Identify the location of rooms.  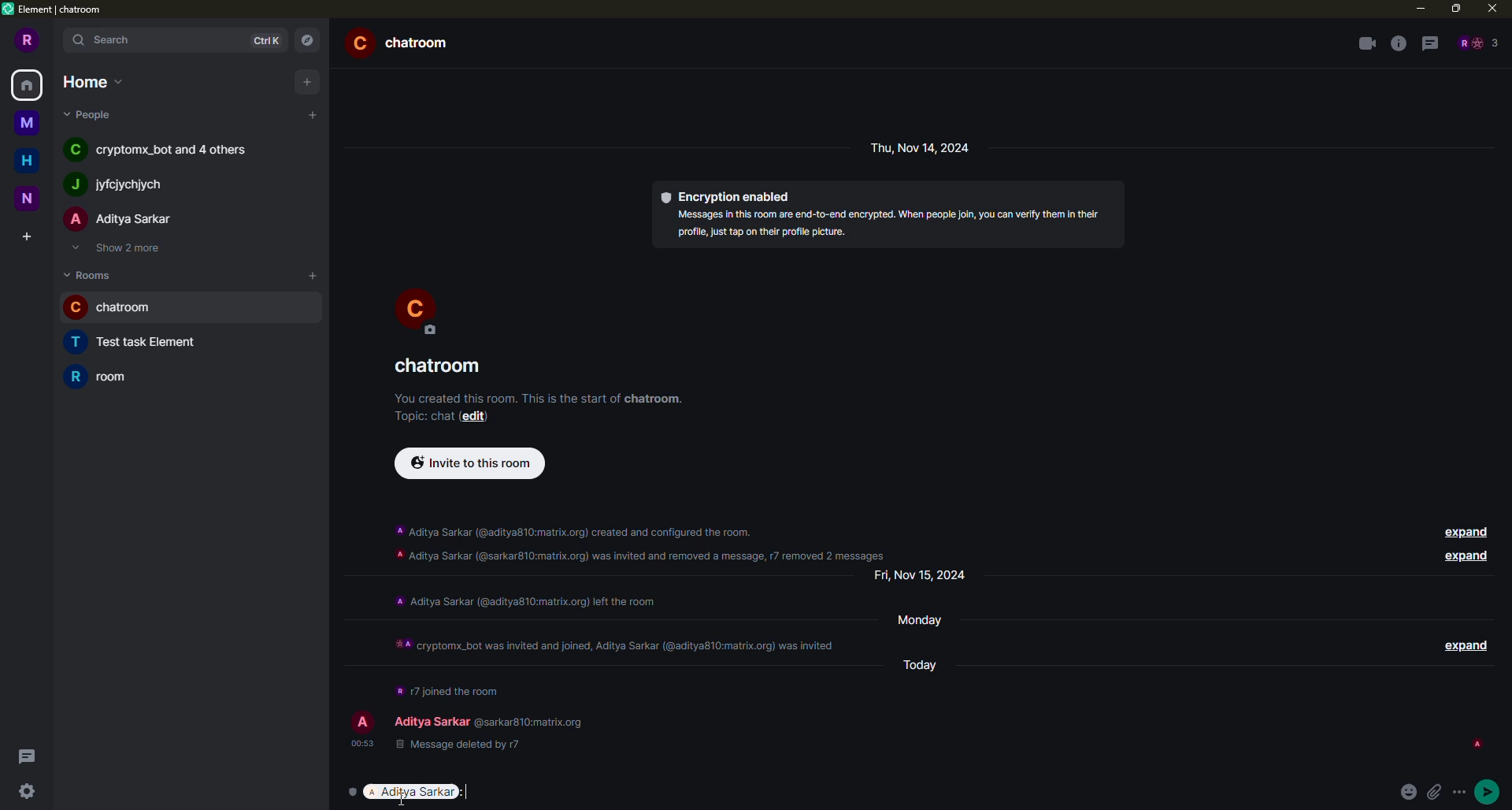
(91, 274).